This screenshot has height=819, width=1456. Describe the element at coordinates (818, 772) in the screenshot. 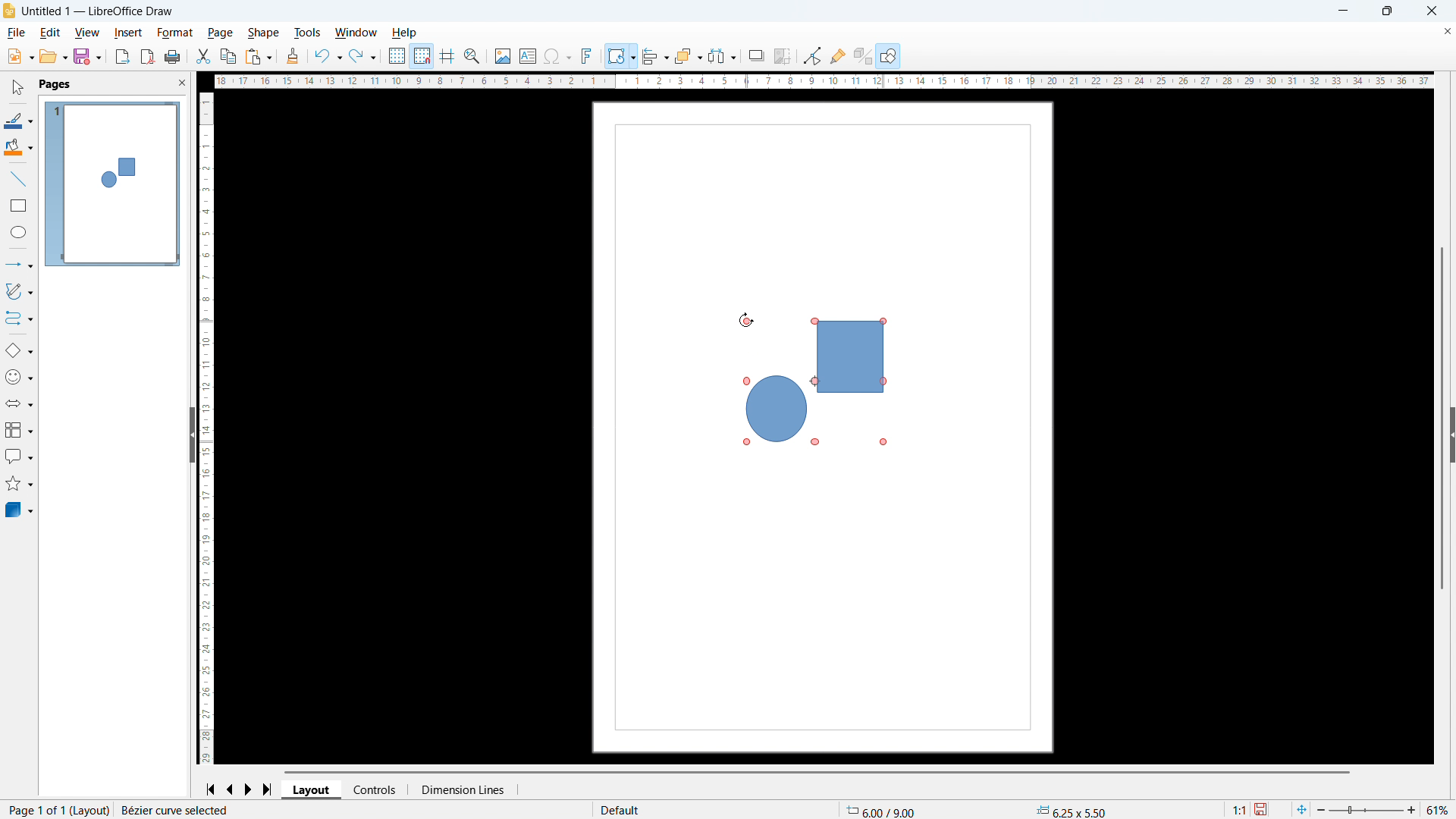

I see `Horizontal scroll bar ` at that location.